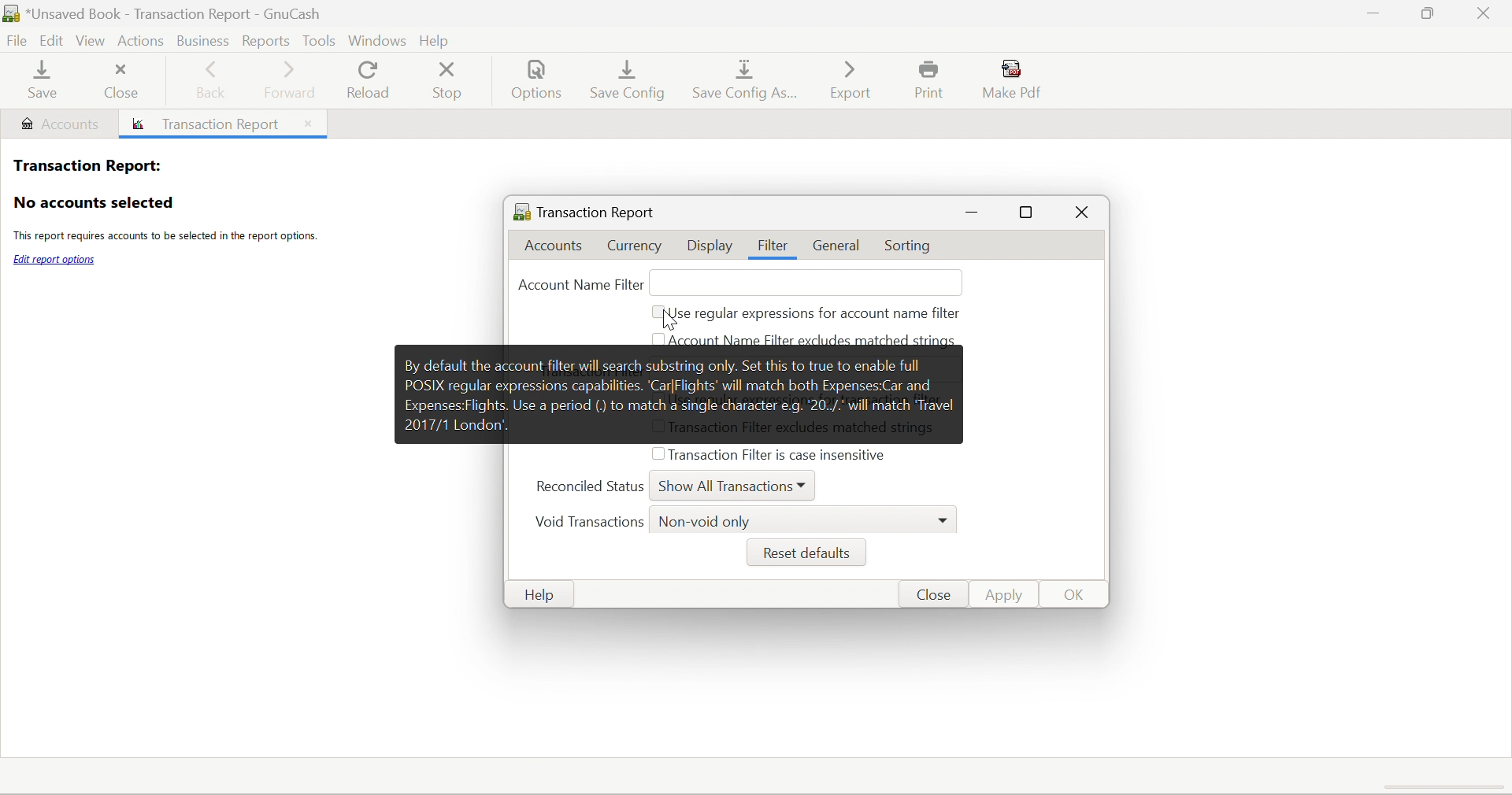 The image size is (1512, 795). I want to click on Checkbox, so click(656, 456).